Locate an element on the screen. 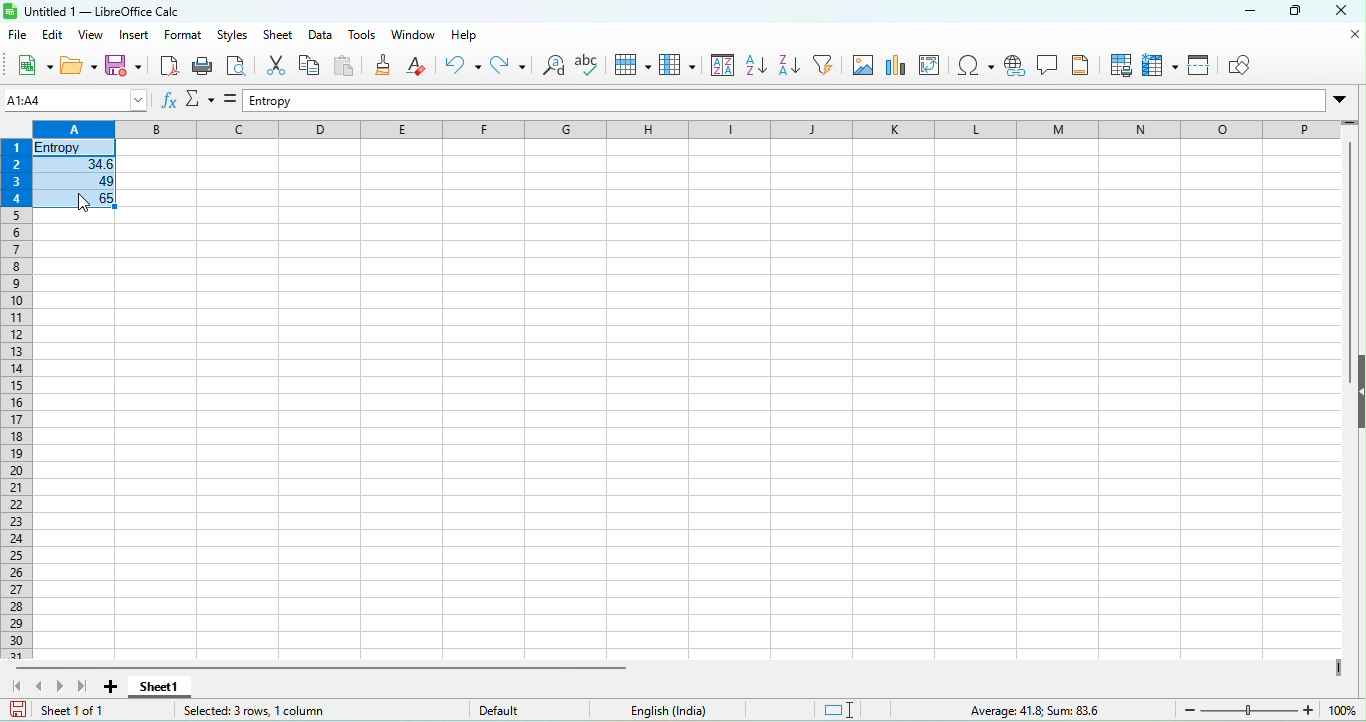  name box (c8) is located at coordinates (73, 99).